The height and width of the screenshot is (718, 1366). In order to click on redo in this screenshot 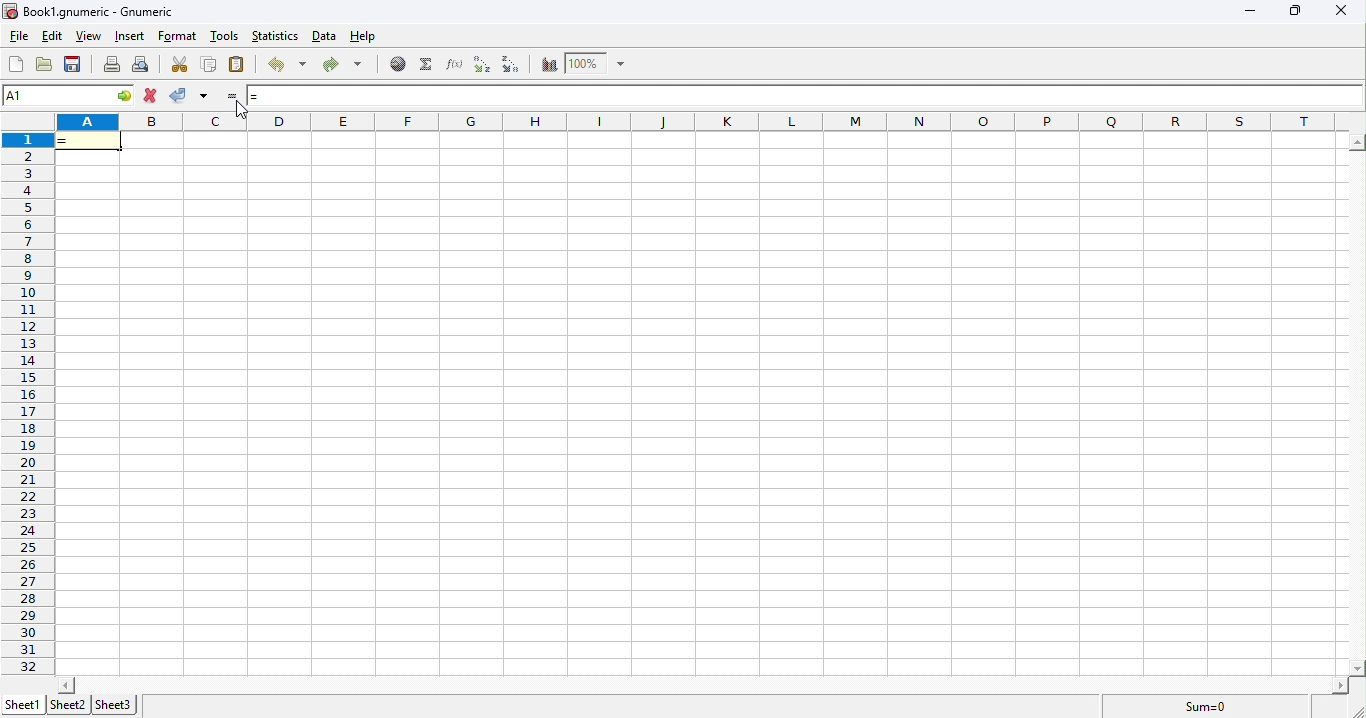, I will do `click(346, 66)`.